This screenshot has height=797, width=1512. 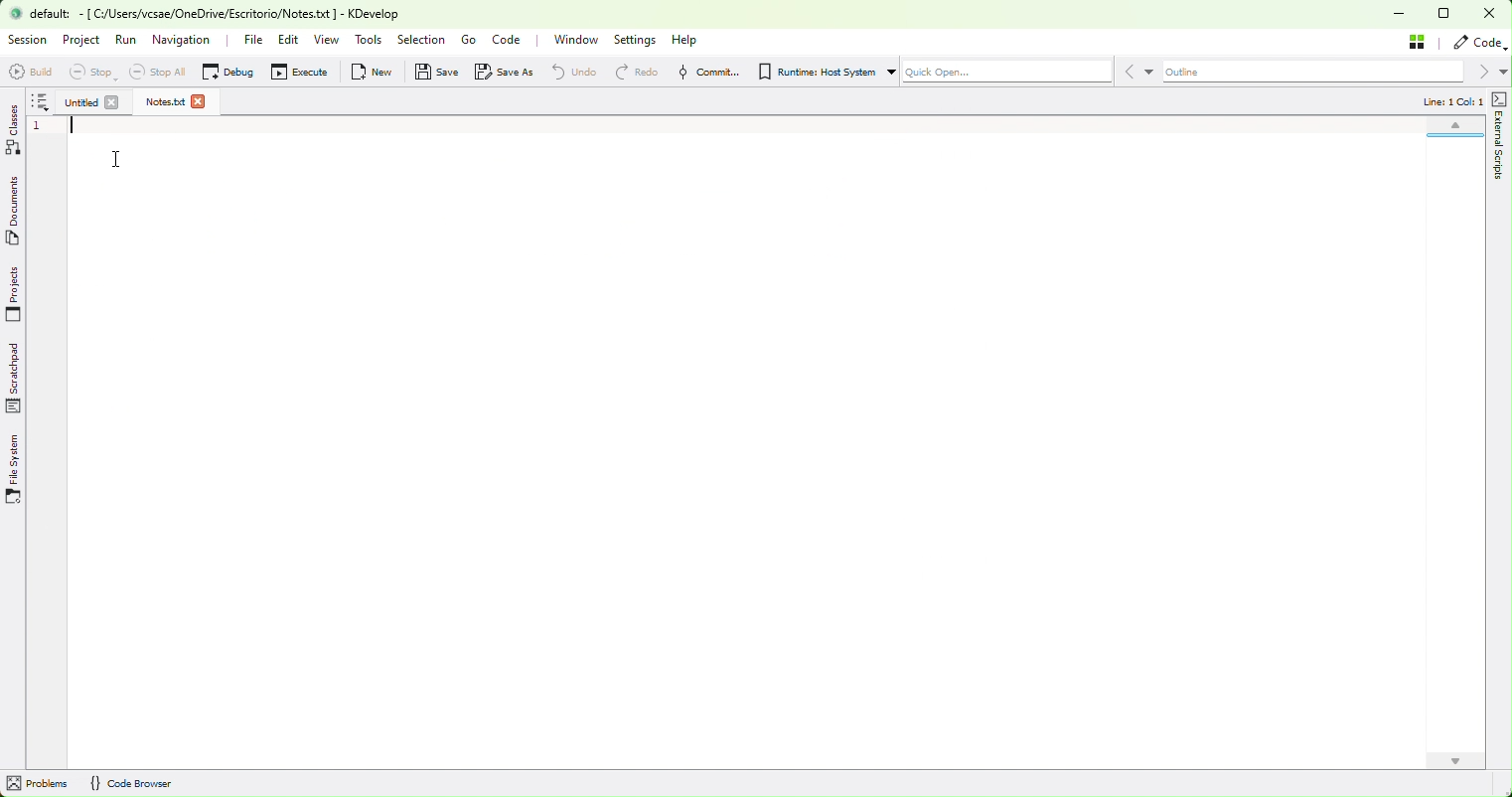 What do you see at coordinates (1450, 15) in the screenshot?
I see `restore` at bounding box center [1450, 15].